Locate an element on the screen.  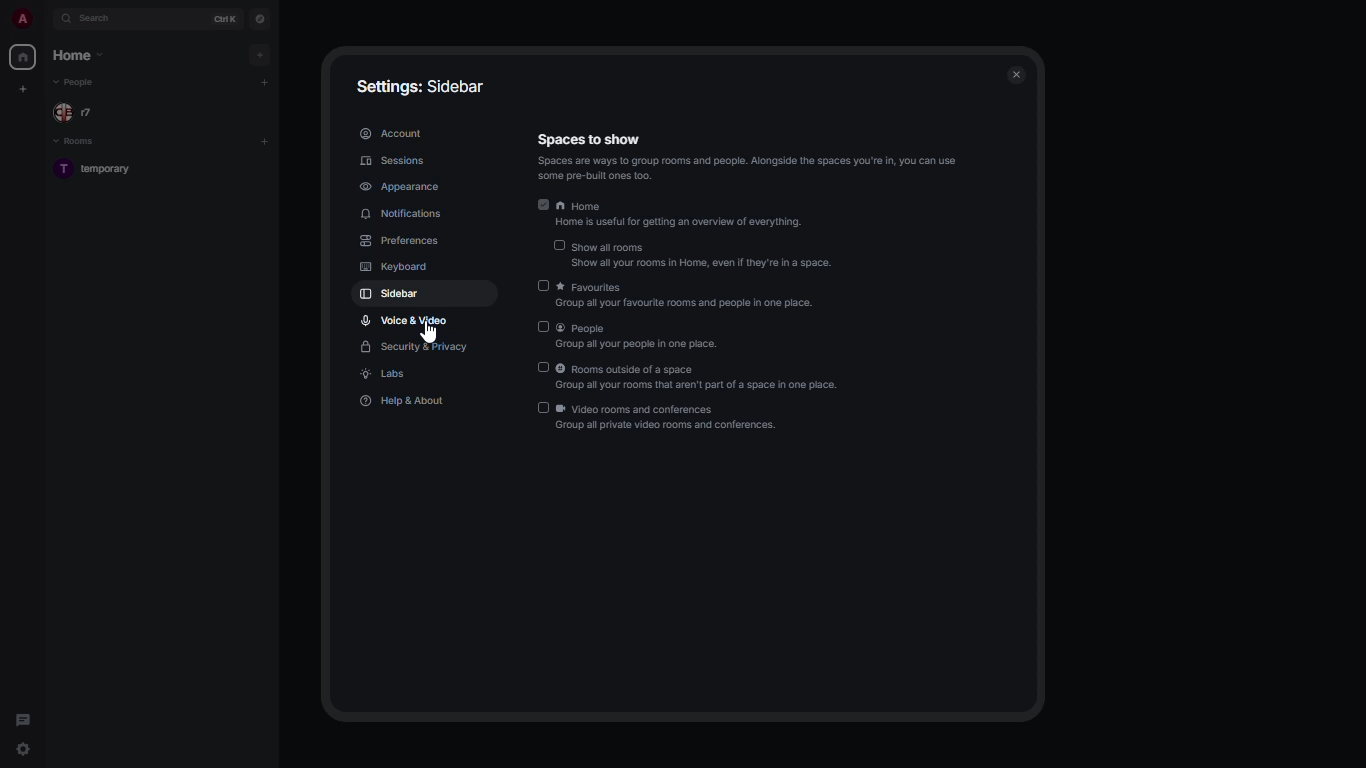
preferences is located at coordinates (399, 240).